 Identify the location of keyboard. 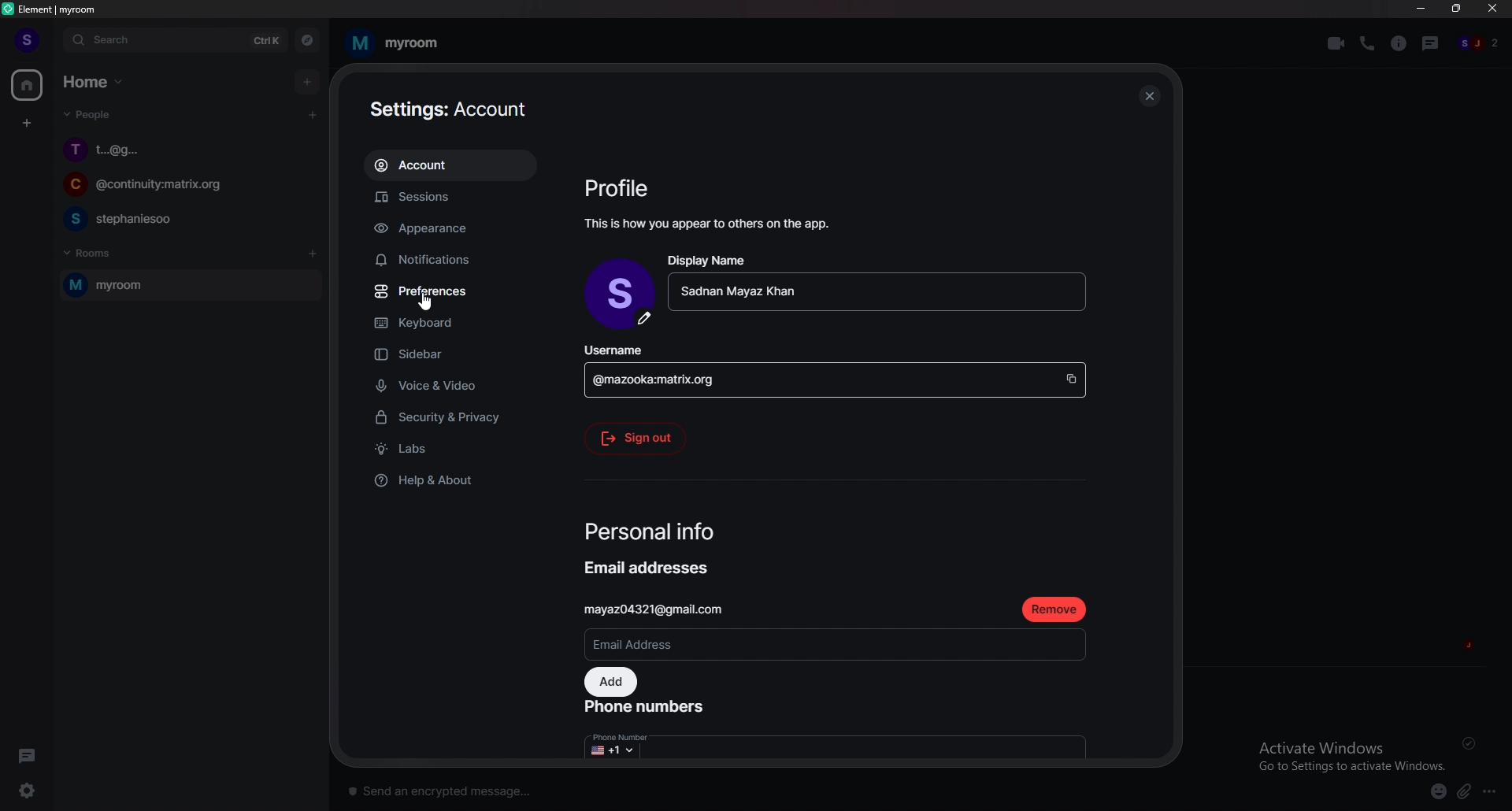
(448, 325).